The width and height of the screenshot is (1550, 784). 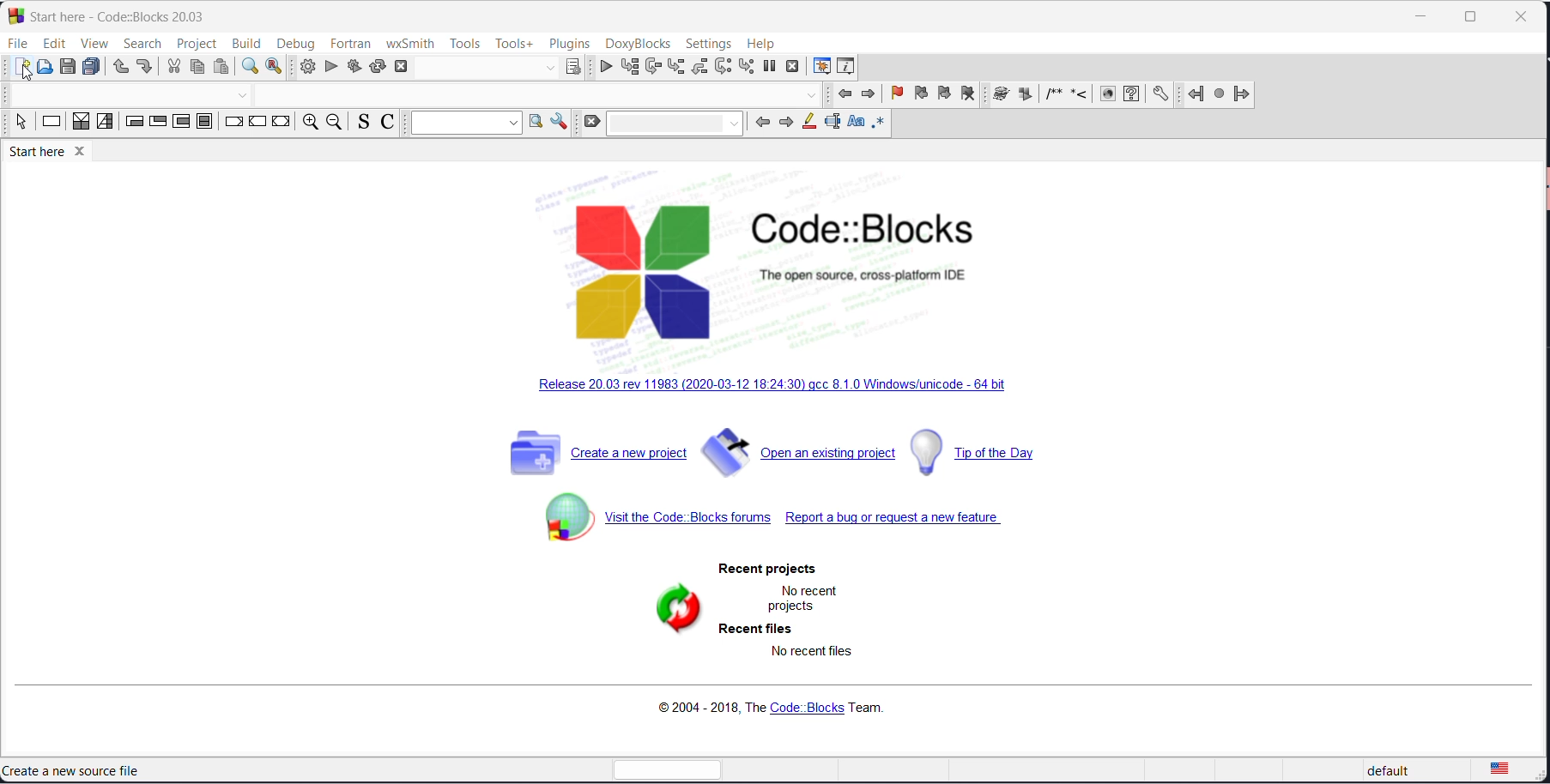 What do you see at coordinates (1383, 770) in the screenshot?
I see `default` at bounding box center [1383, 770].